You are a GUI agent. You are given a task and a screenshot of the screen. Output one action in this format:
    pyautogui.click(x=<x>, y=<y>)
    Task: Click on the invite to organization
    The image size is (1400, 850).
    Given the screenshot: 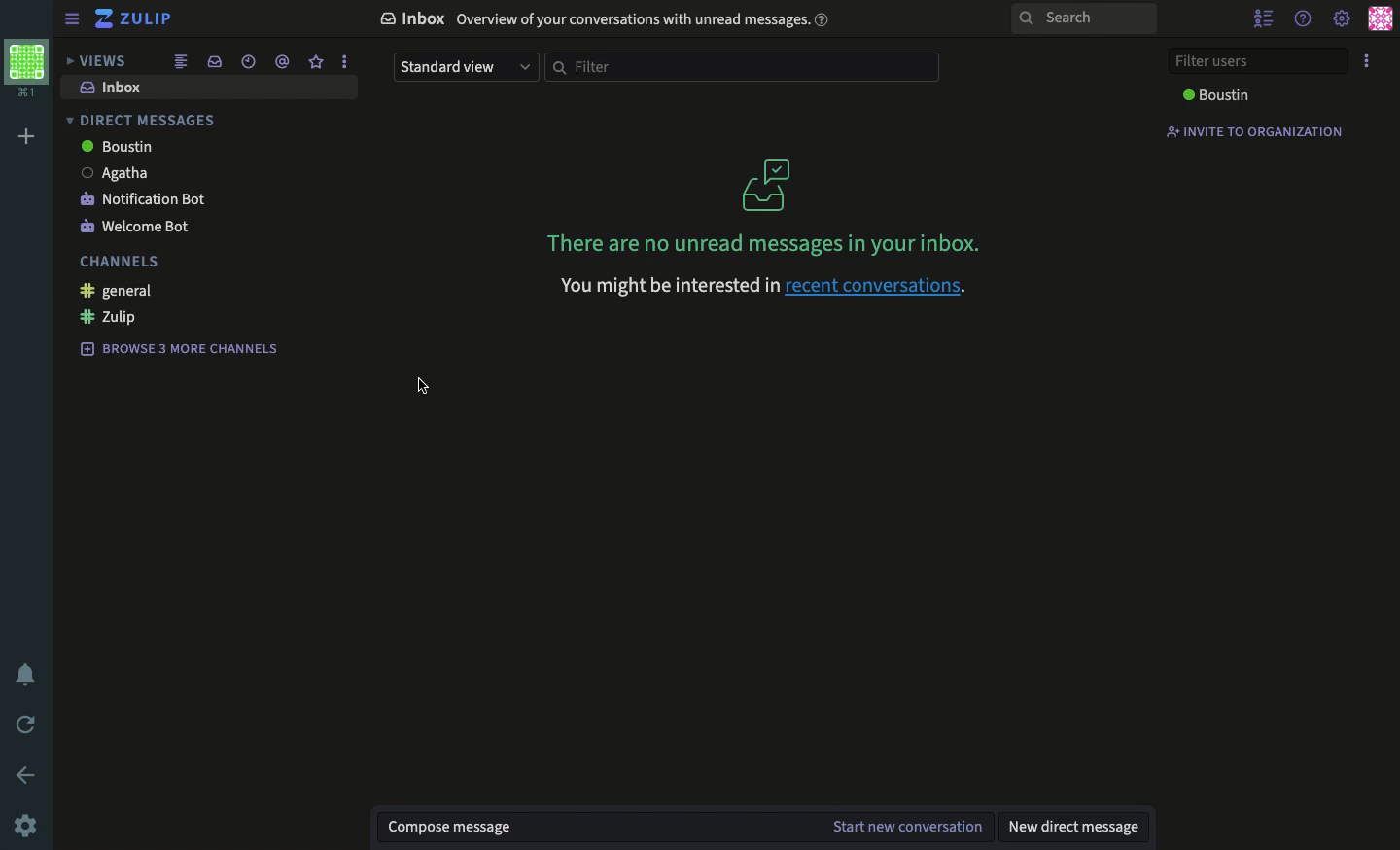 What is the action you would take?
    pyautogui.click(x=1253, y=132)
    